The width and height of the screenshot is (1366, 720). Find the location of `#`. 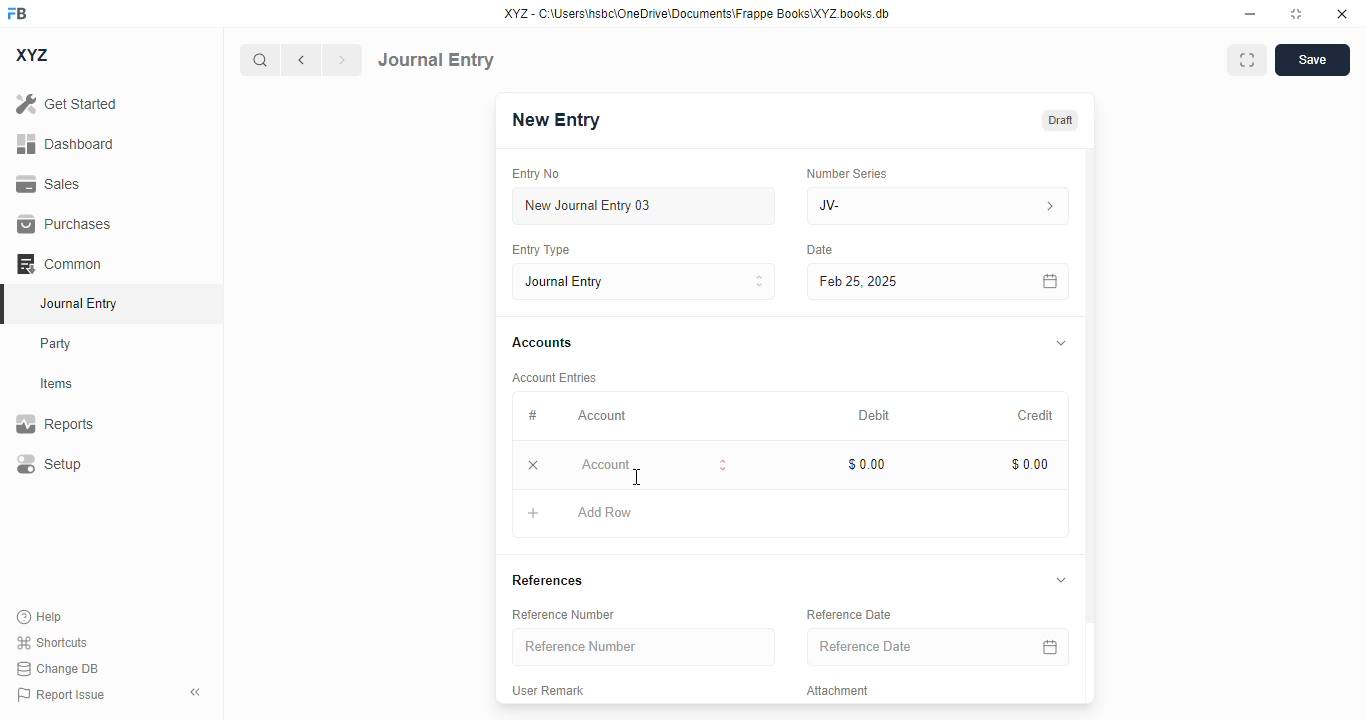

# is located at coordinates (532, 416).